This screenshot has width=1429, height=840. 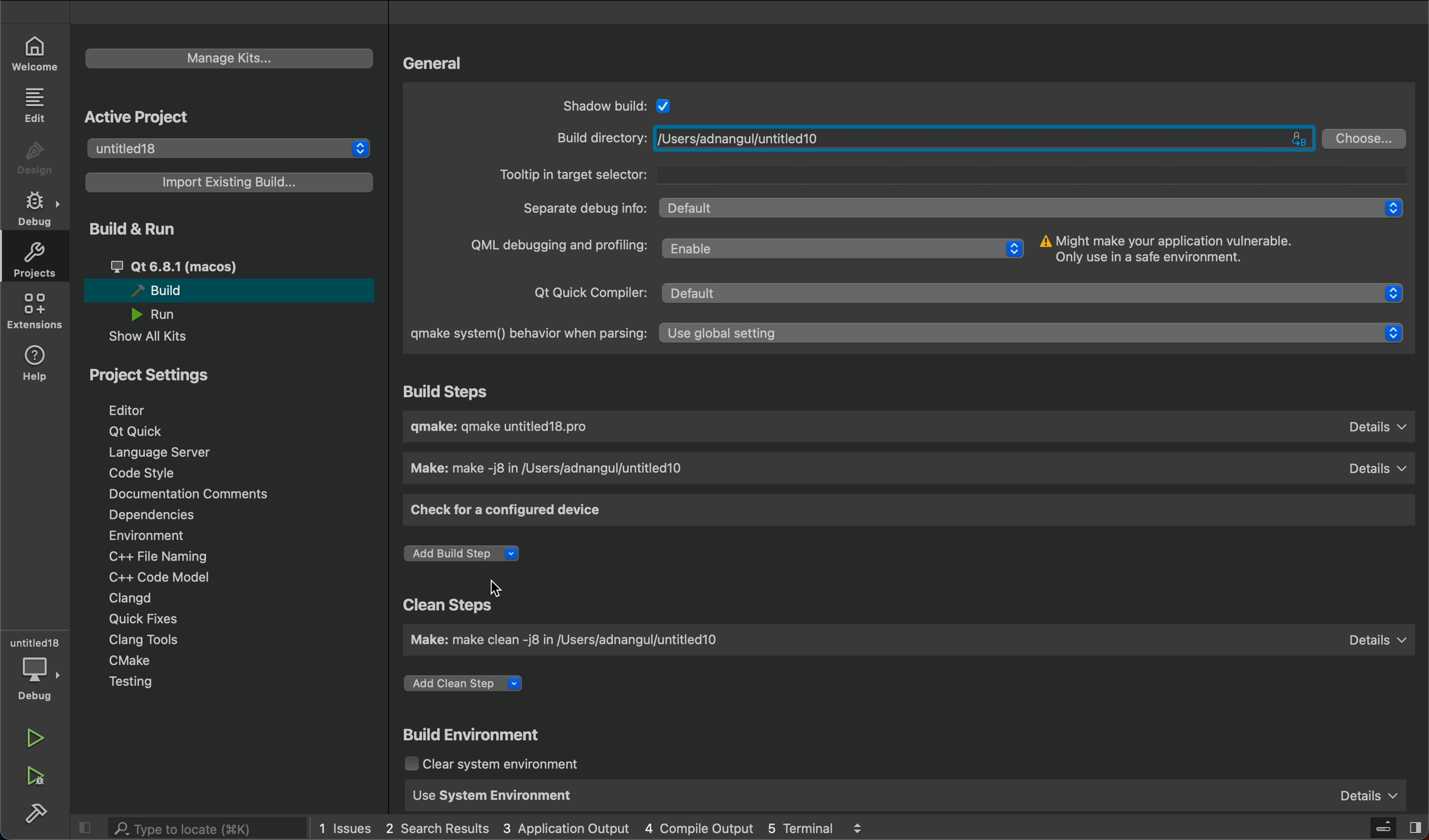 What do you see at coordinates (433, 65) in the screenshot?
I see `General` at bounding box center [433, 65].